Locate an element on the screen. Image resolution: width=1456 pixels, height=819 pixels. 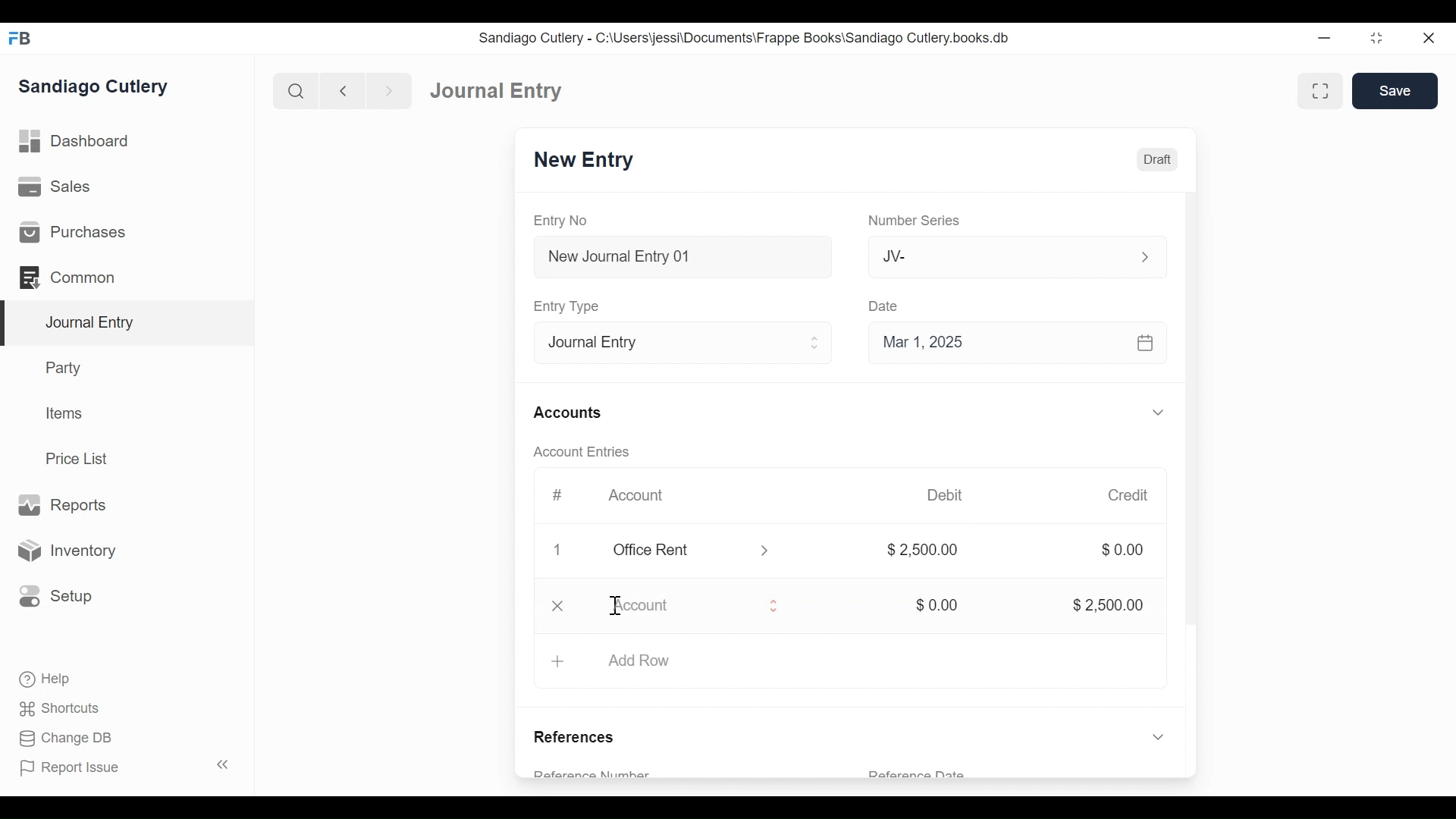
Number Series is located at coordinates (912, 221).